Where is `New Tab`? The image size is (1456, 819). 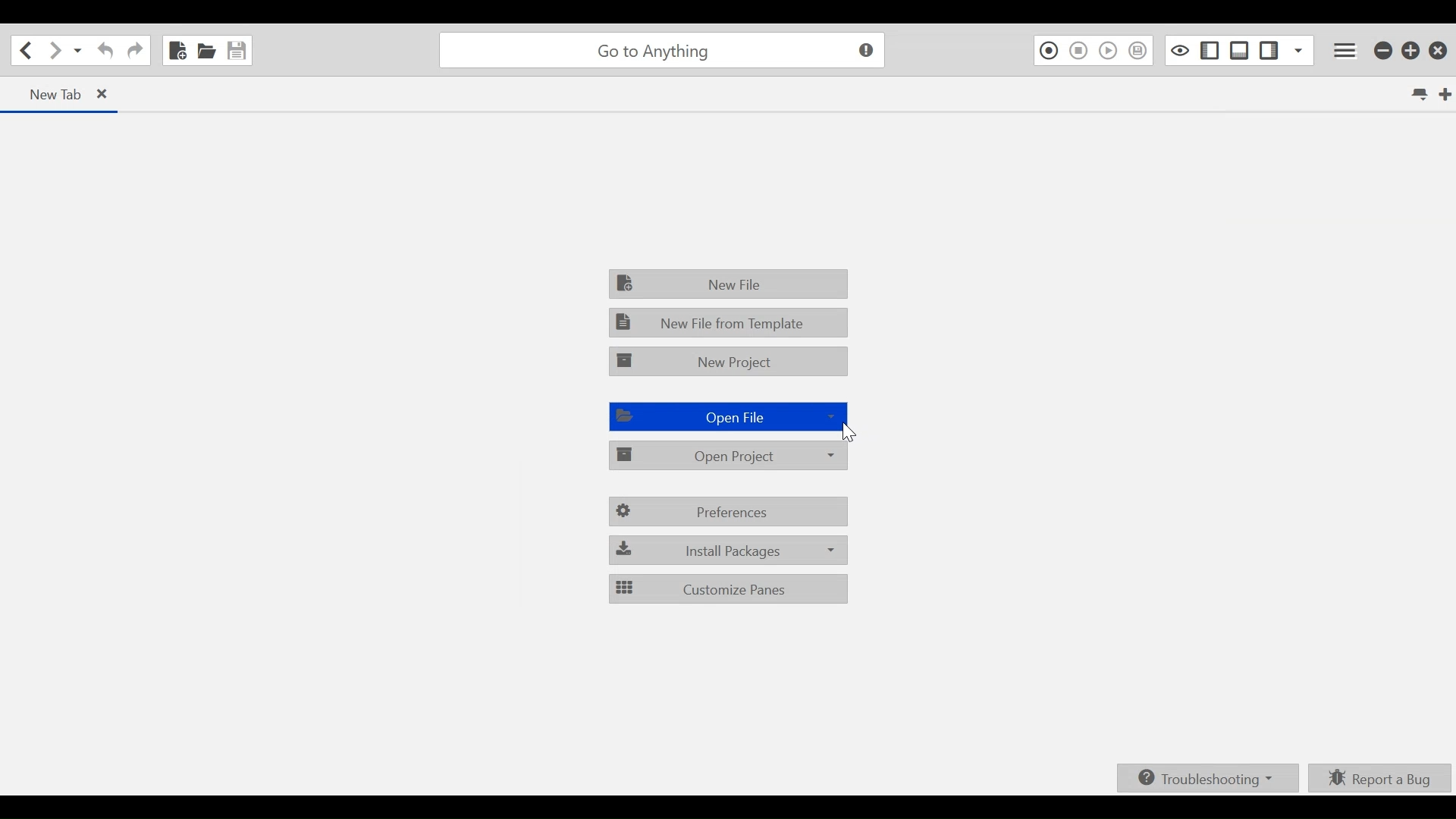 New Tab is located at coordinates (1445, 96).